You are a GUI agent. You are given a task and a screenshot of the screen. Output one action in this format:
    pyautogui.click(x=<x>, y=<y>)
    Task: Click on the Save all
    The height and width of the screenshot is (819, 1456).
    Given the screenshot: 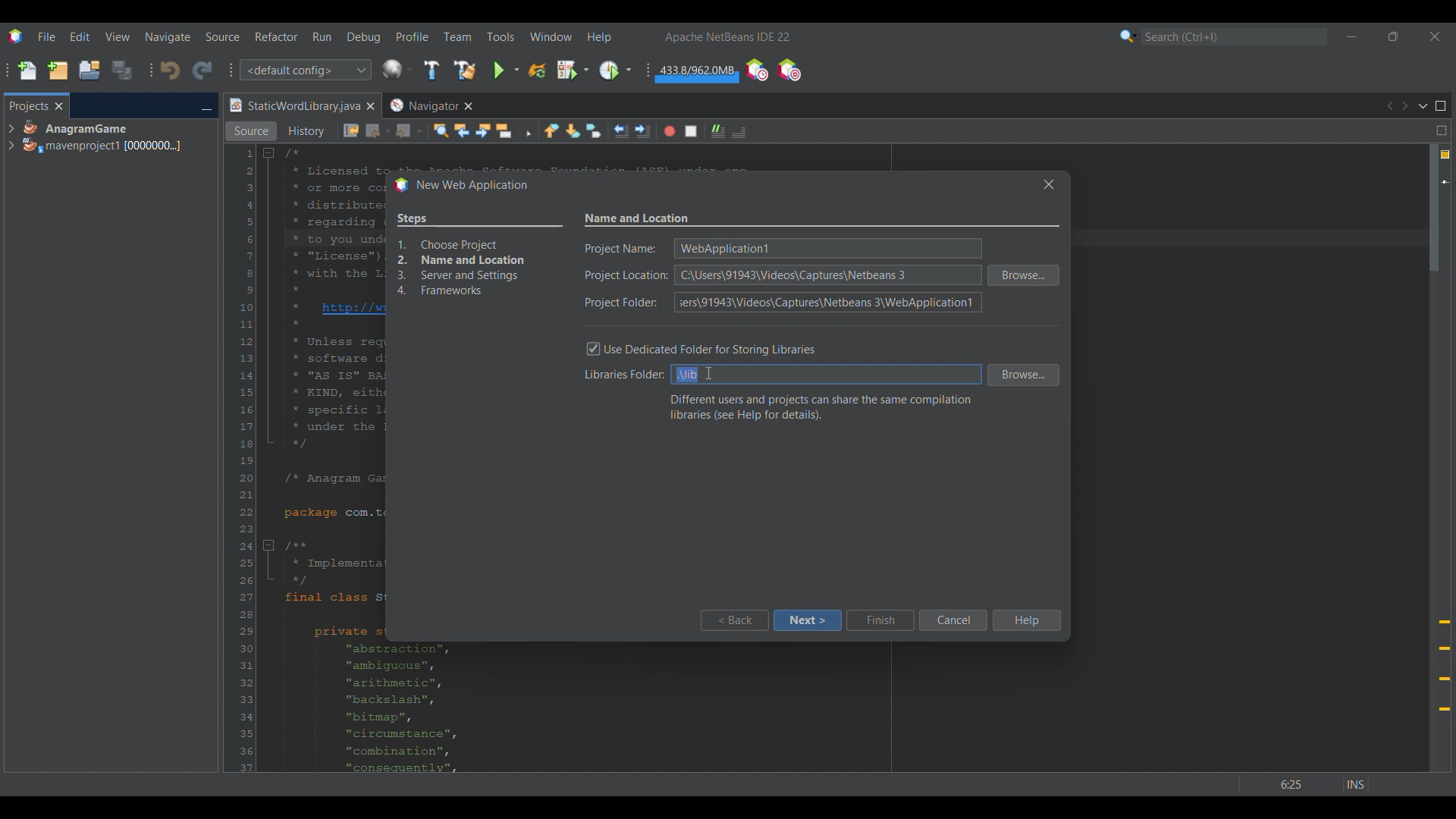 What is the action you would take?
    pyautogui.click(x=122, y=70)
    